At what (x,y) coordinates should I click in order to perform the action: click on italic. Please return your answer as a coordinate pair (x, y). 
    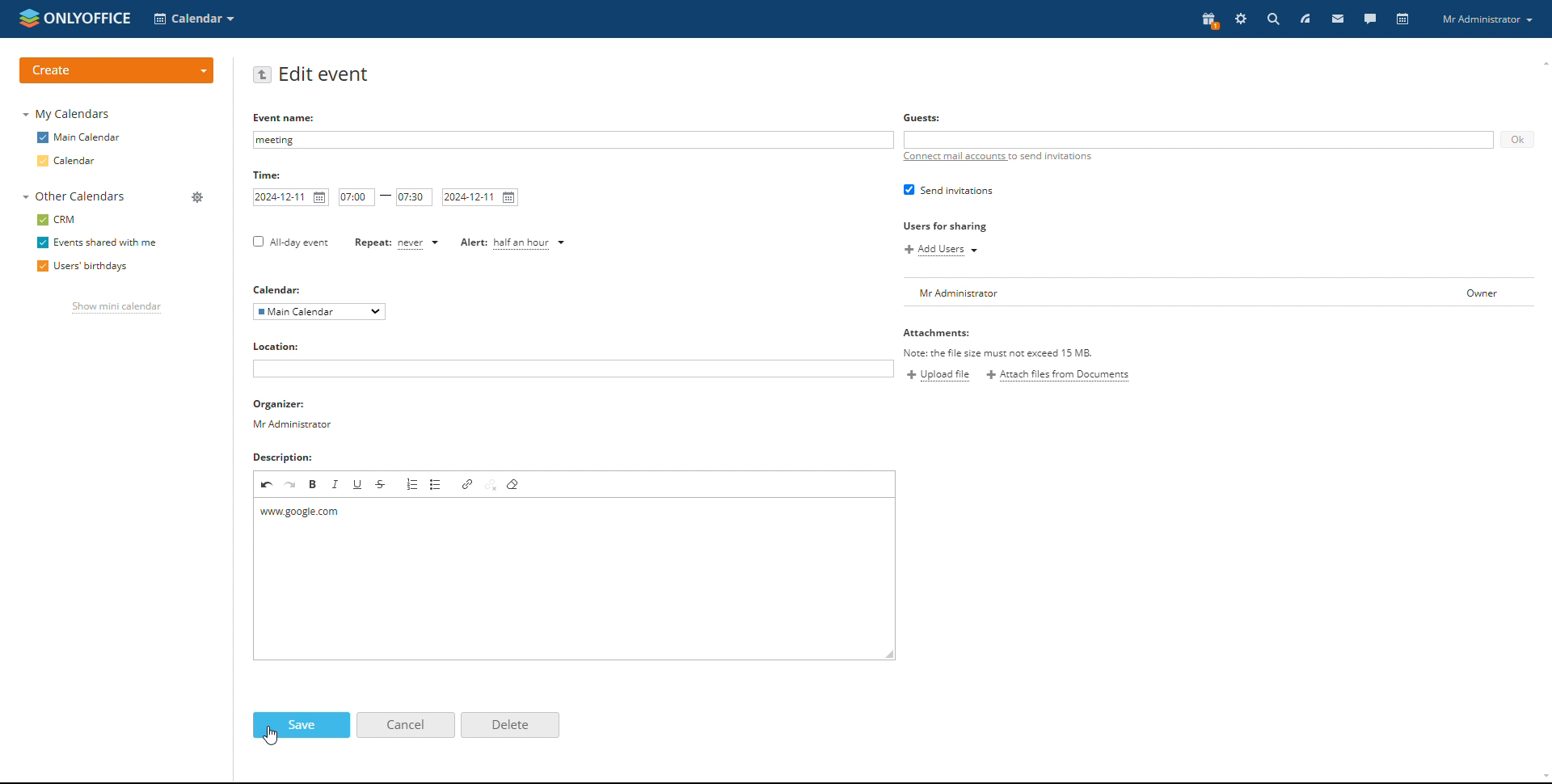
    Looking at the image, I should click on (336, 484).